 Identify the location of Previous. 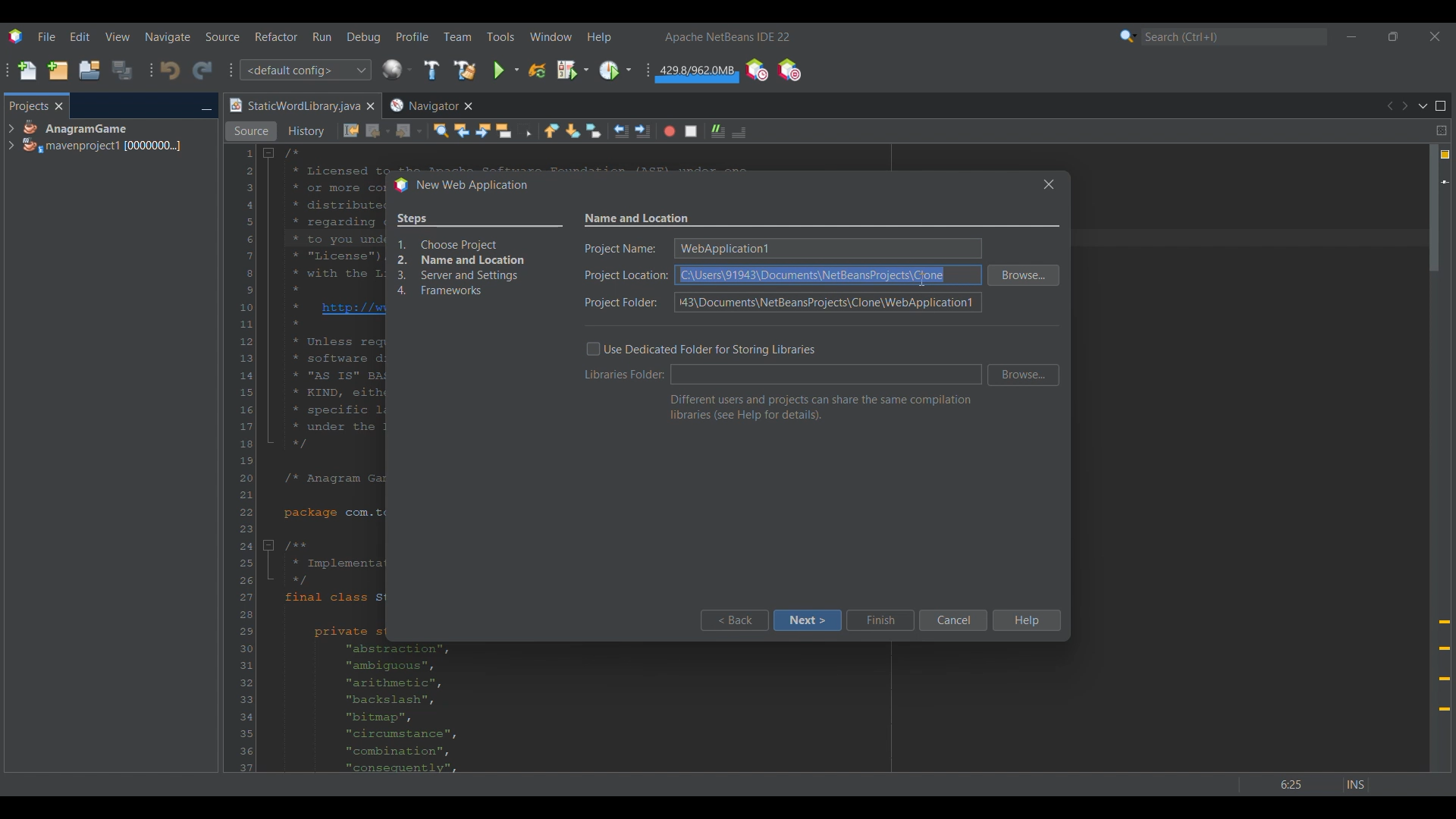
(1389, 106).